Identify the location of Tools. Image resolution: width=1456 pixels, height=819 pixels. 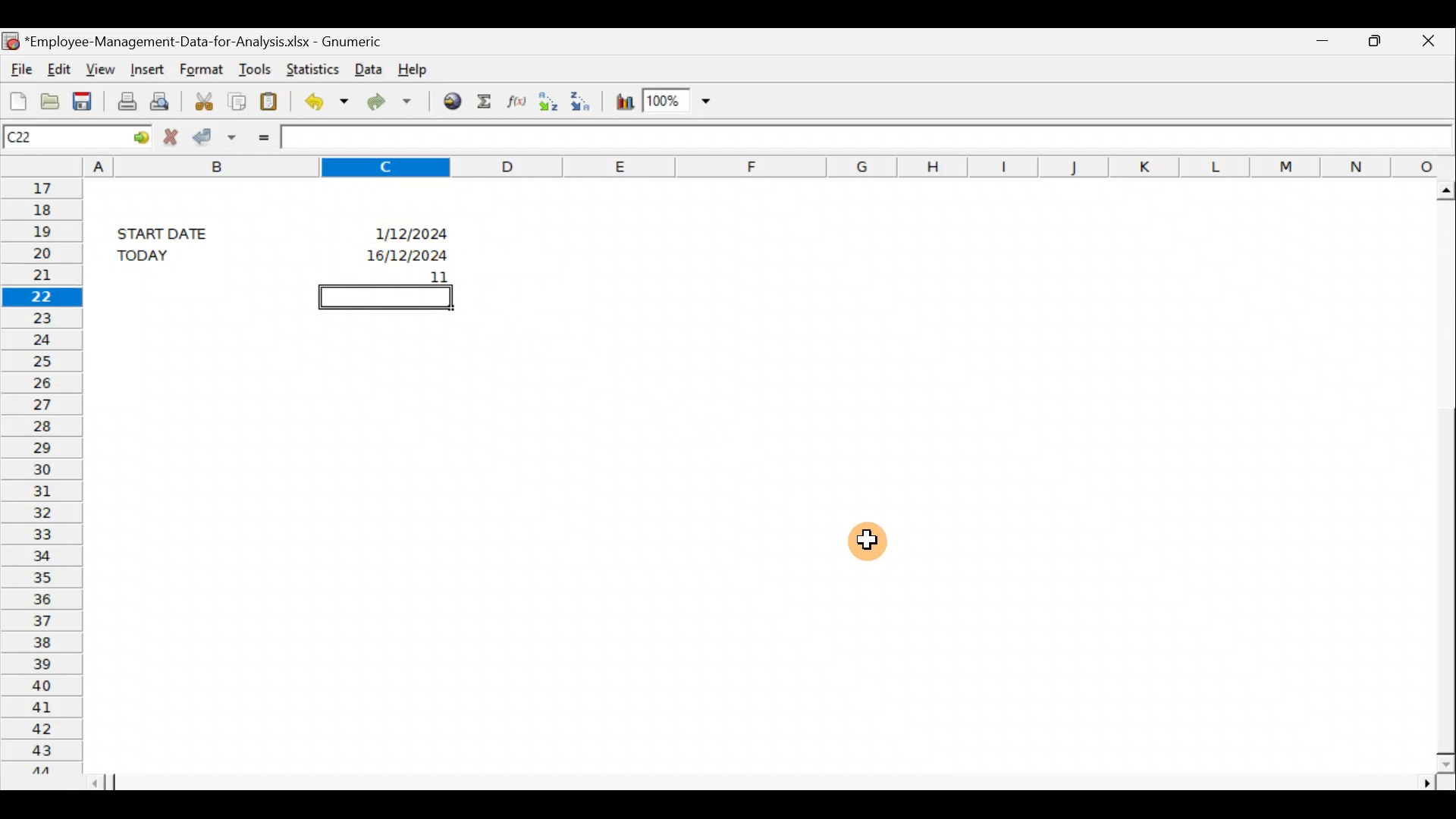
(253, 65).